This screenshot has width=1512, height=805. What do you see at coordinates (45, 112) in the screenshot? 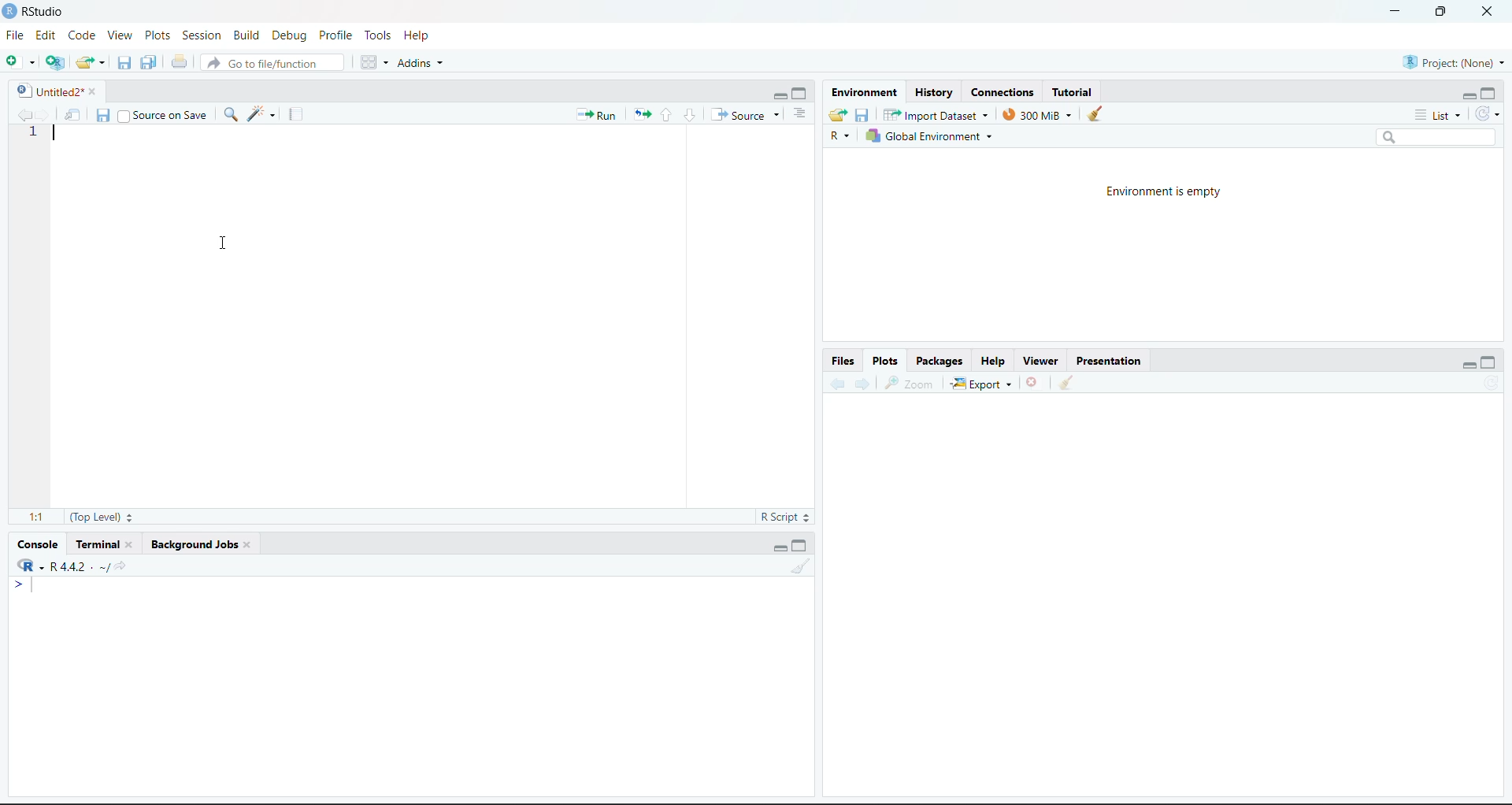
I see `go back to the next source location` at bounding box center [45, 112].